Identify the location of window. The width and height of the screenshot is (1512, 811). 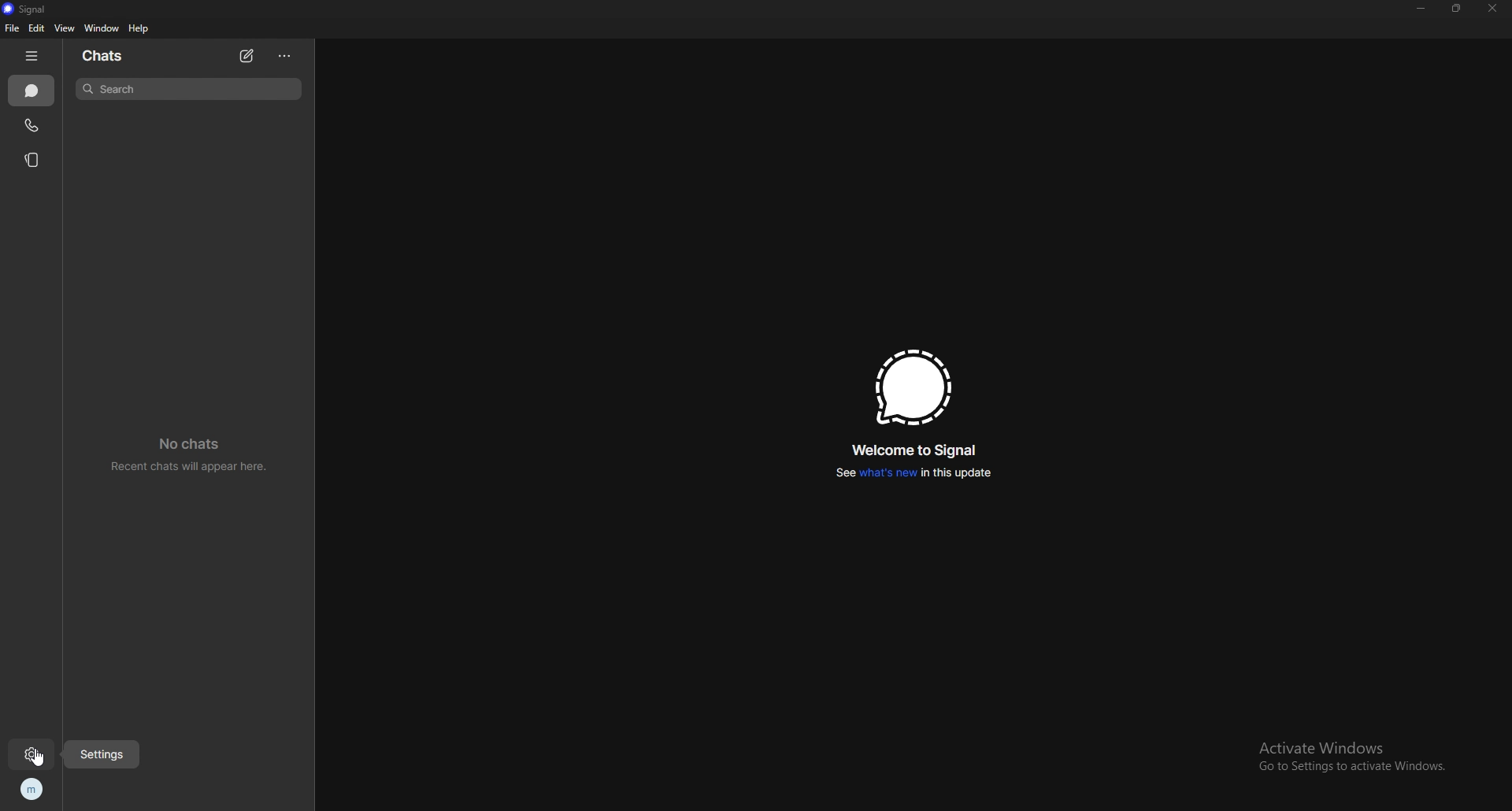
(103, 28).